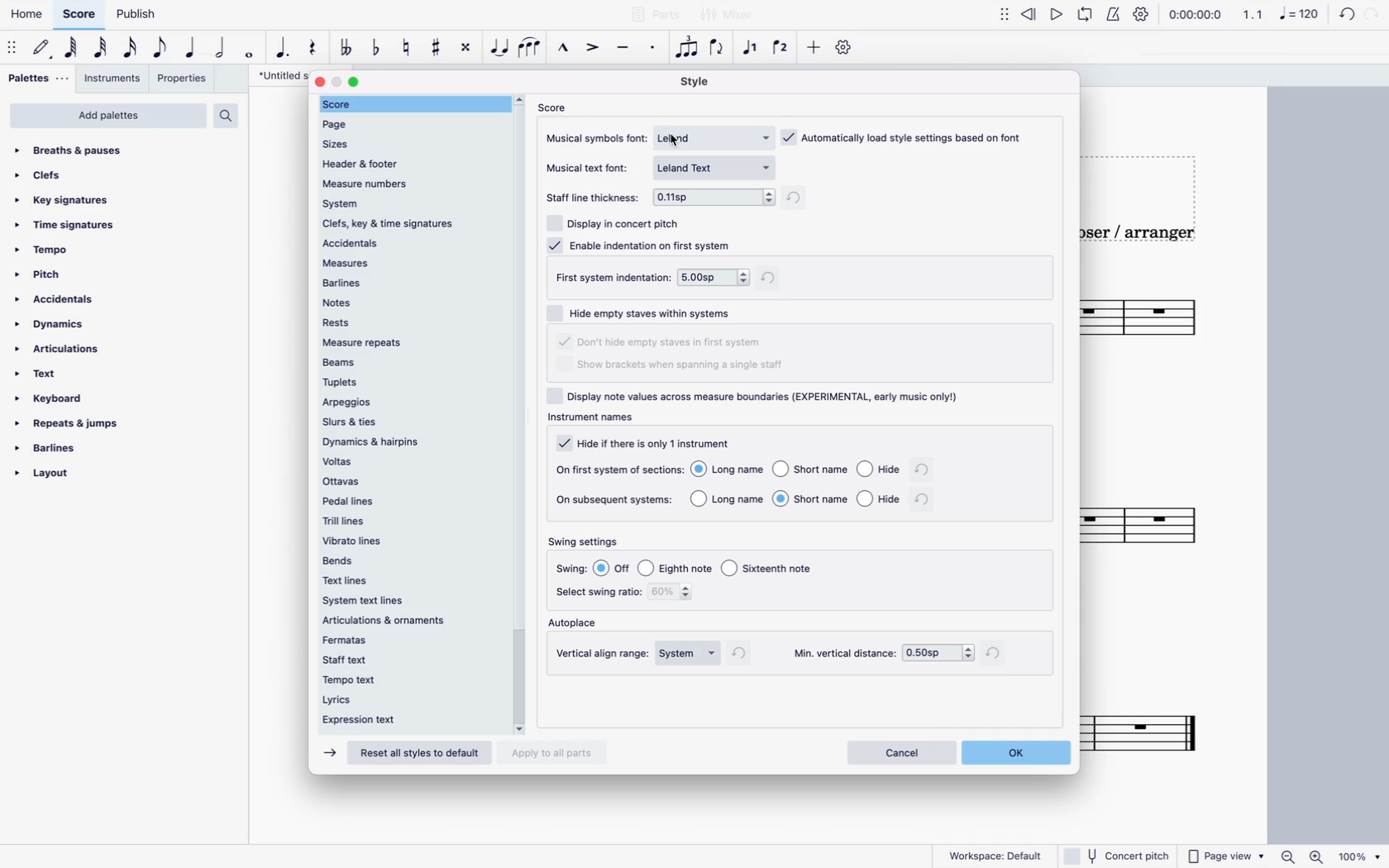 This screenshot has height=868, width=1389. I want to click on properties, so click(179, 79).